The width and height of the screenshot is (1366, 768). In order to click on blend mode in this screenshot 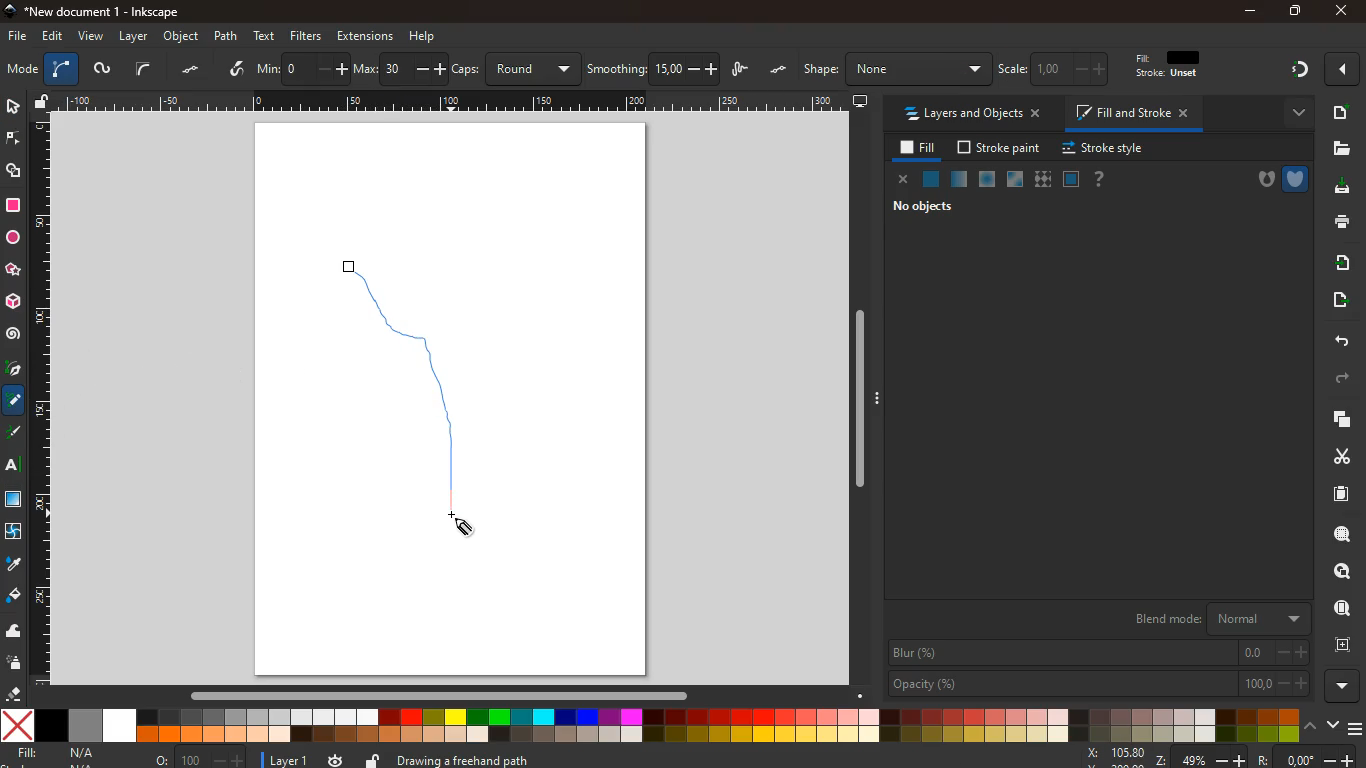, I will do `click(1223, 619)`.